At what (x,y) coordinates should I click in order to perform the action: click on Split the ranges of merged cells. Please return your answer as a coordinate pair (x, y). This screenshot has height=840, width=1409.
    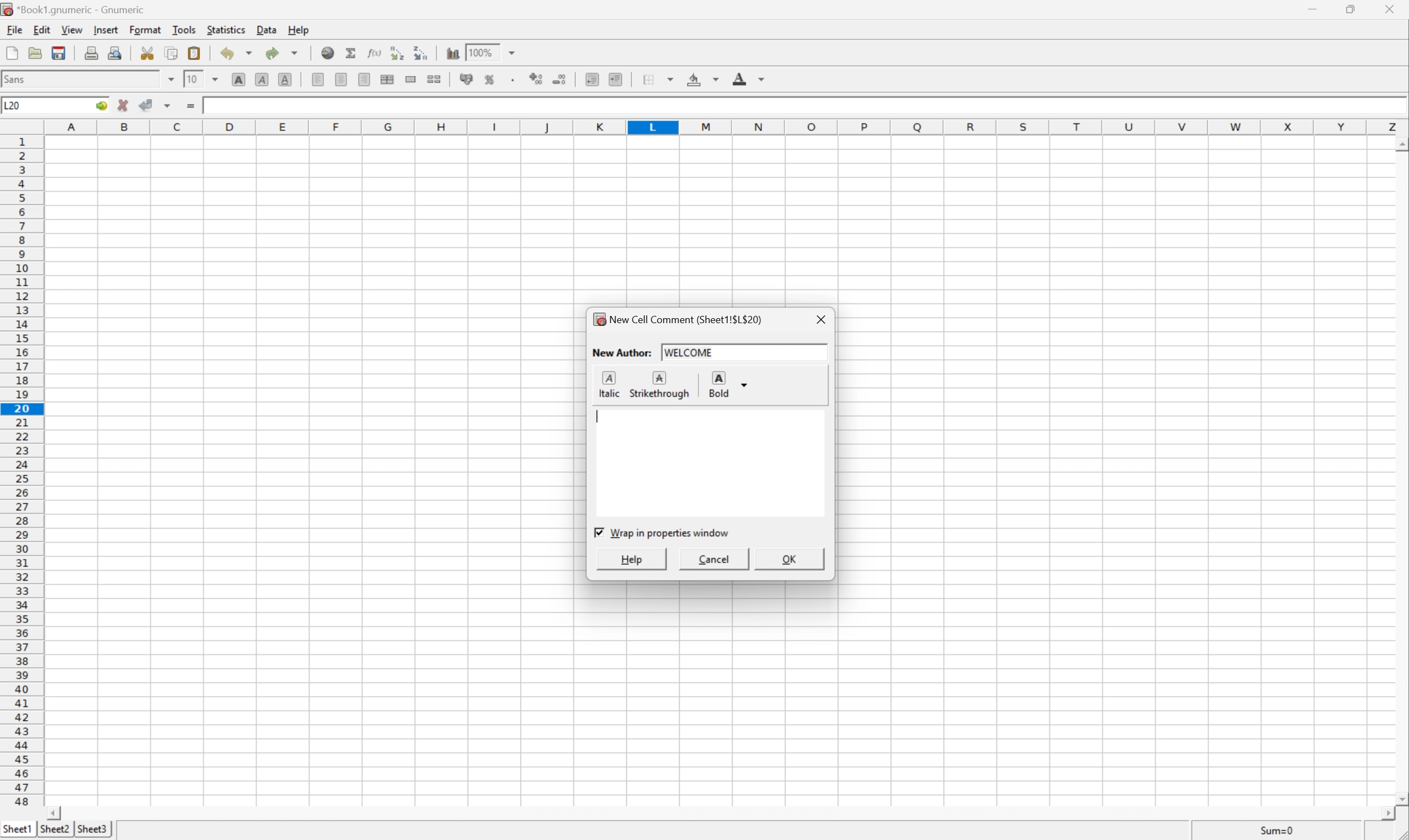
    Looking at the image, I should click on (435, 78).